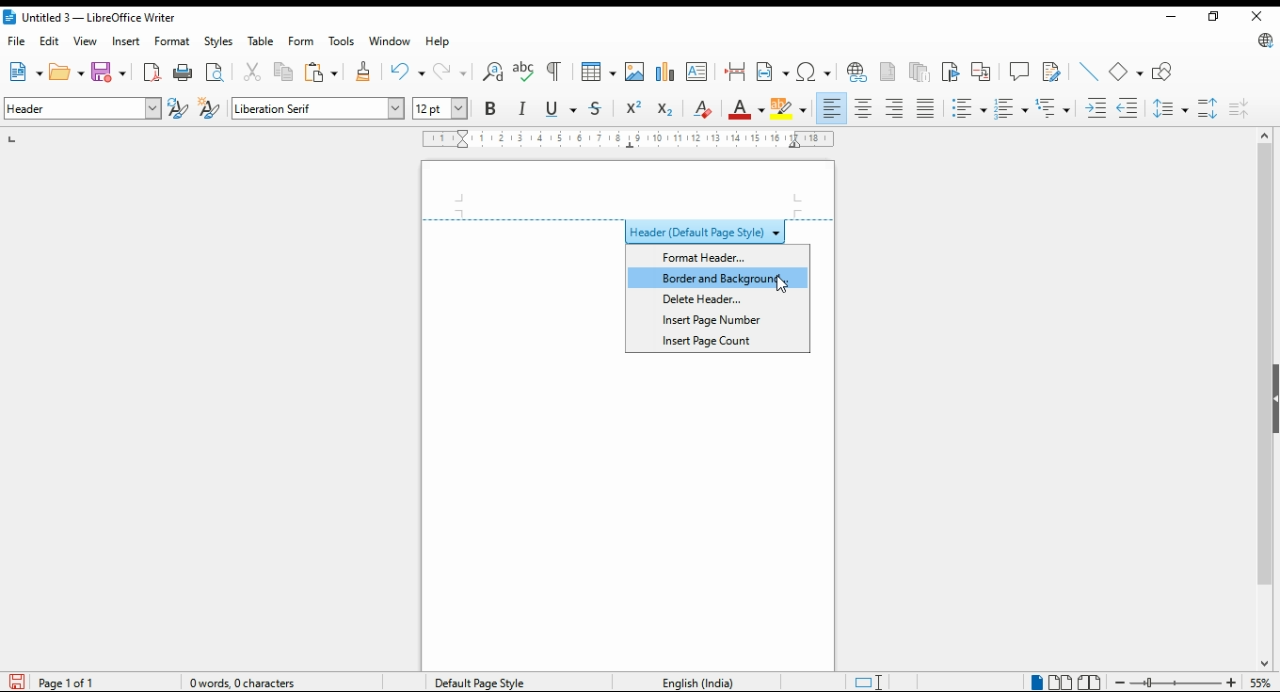  What do you see at coordinates (696, 681) in the screenshot?
I see `language` at bounding box center [696, 681].